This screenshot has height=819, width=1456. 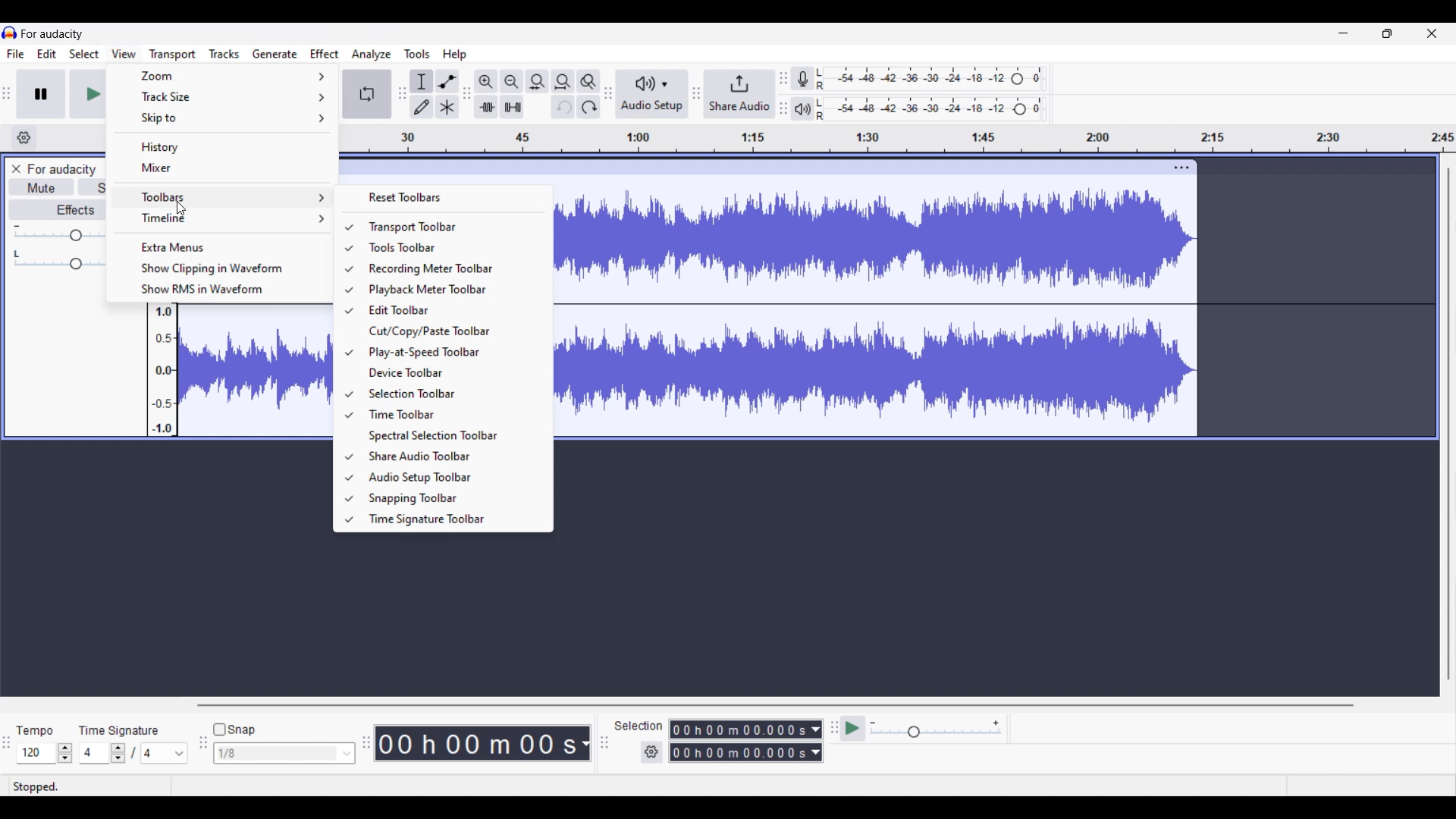 I want to click on cursor, so click(x=182, y=209).